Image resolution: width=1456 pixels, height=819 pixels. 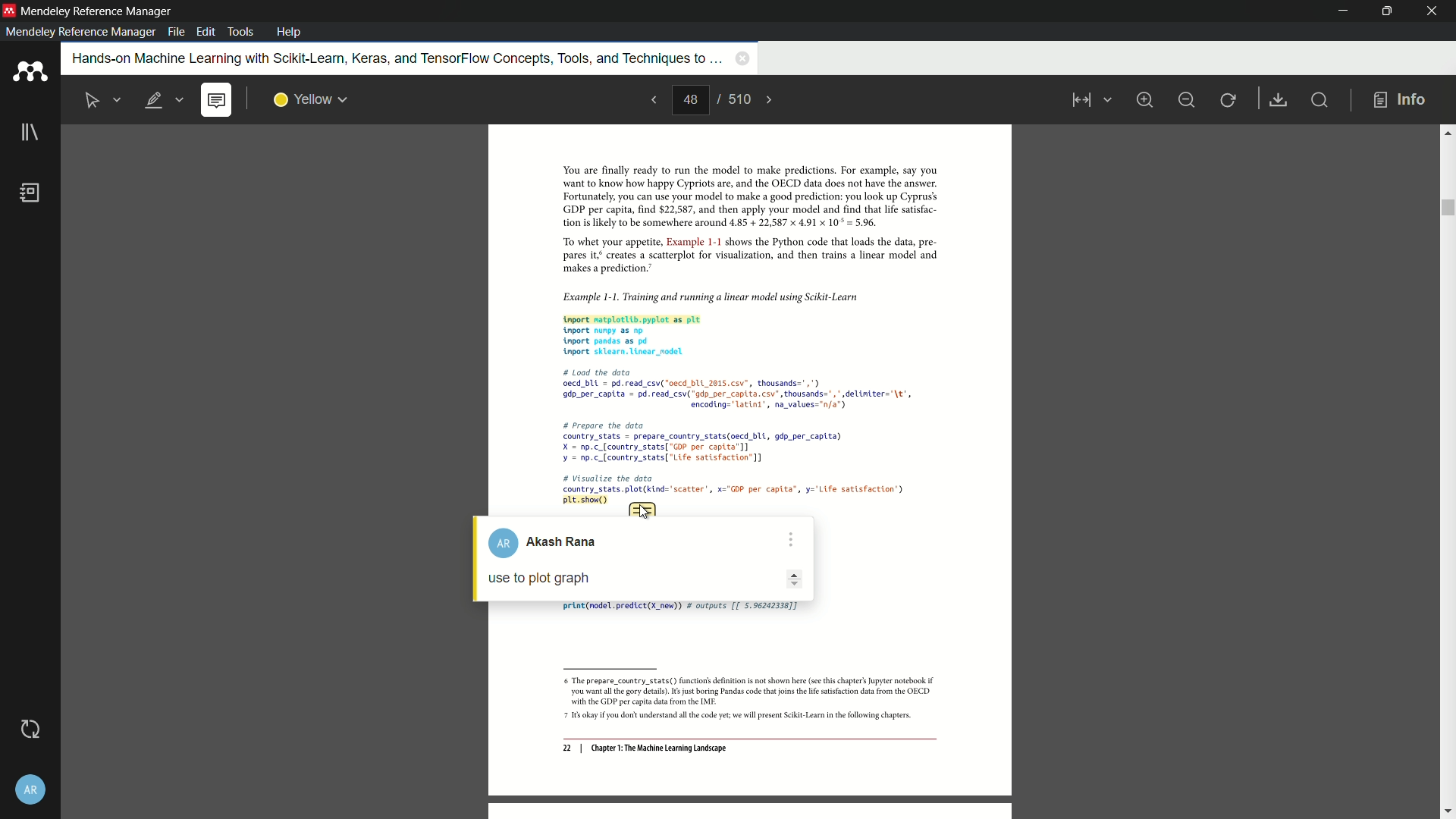 I want to click on tools menu, so click(x=240, y=32).